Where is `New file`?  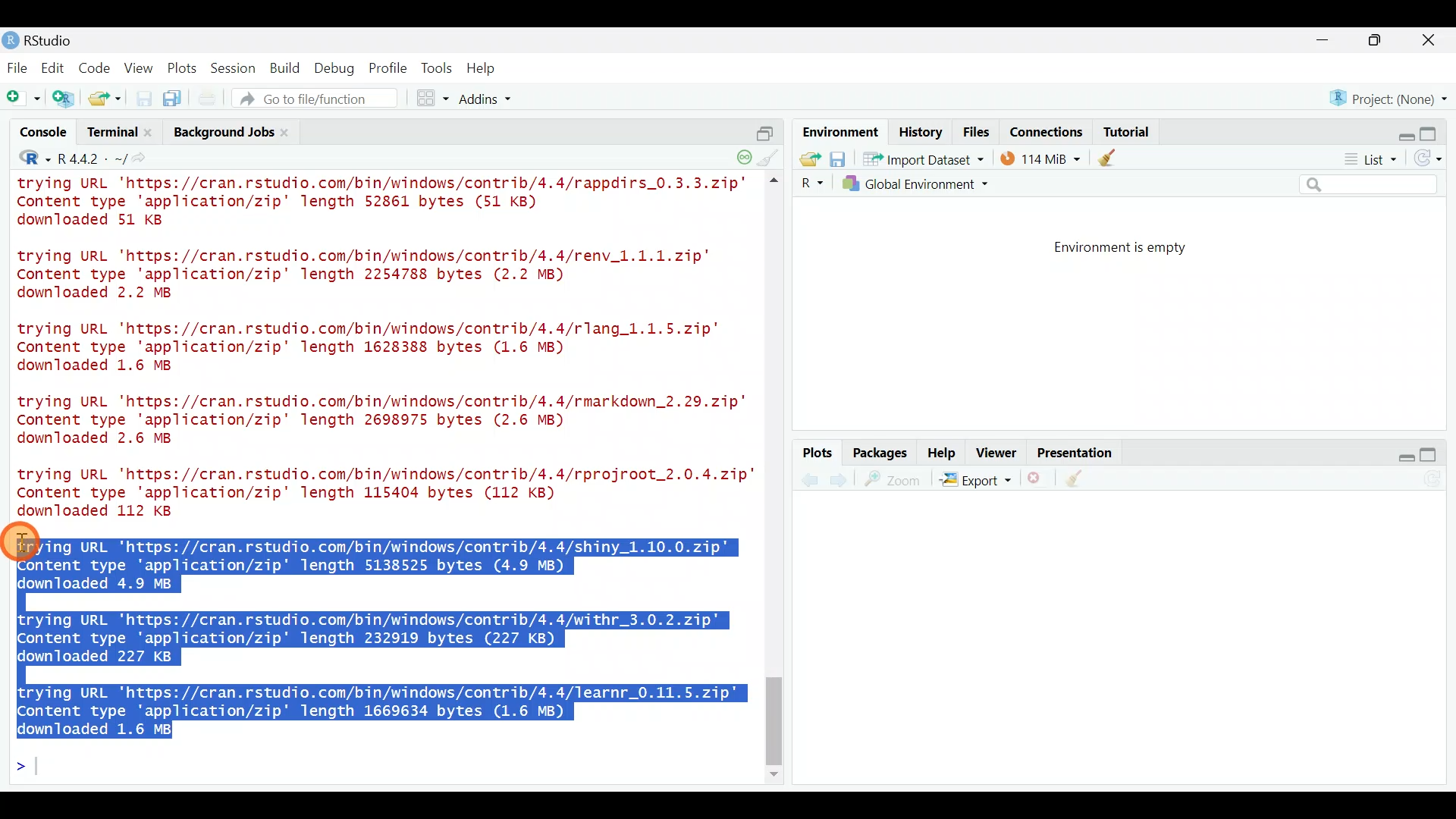 New file is located at coordinates (22, 99).